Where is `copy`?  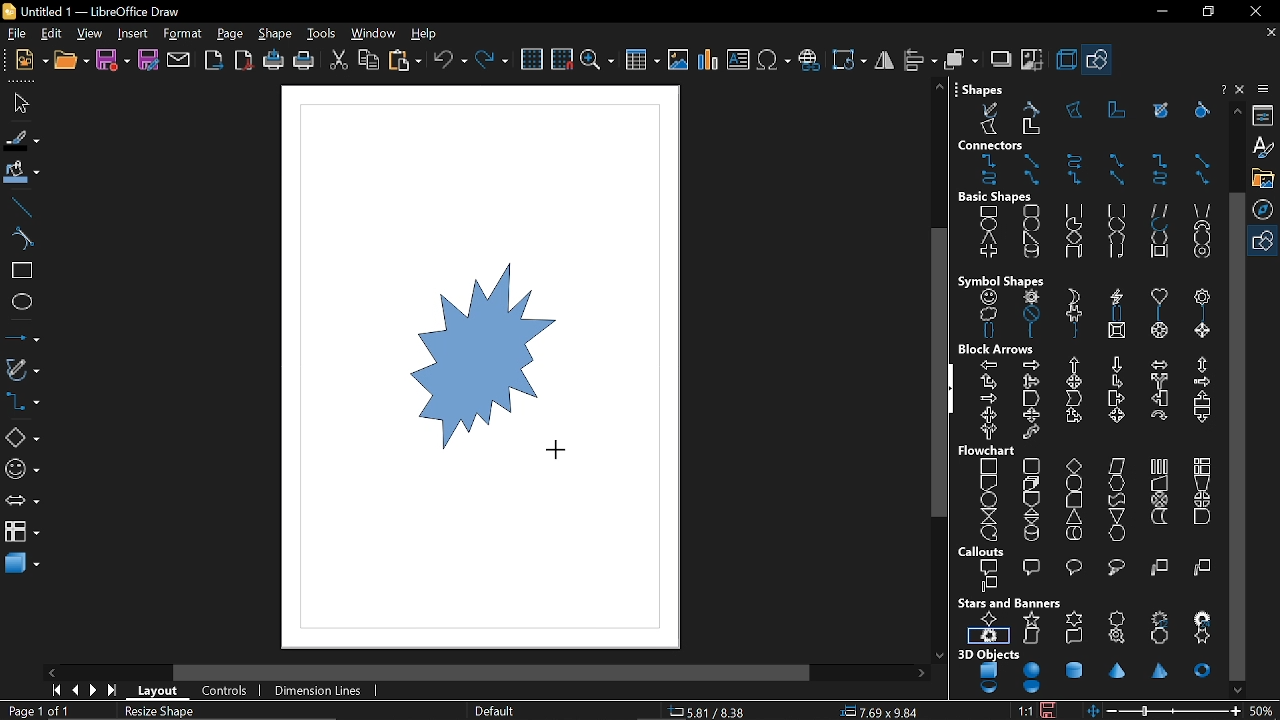
copy is located at coordinates (368, 60).